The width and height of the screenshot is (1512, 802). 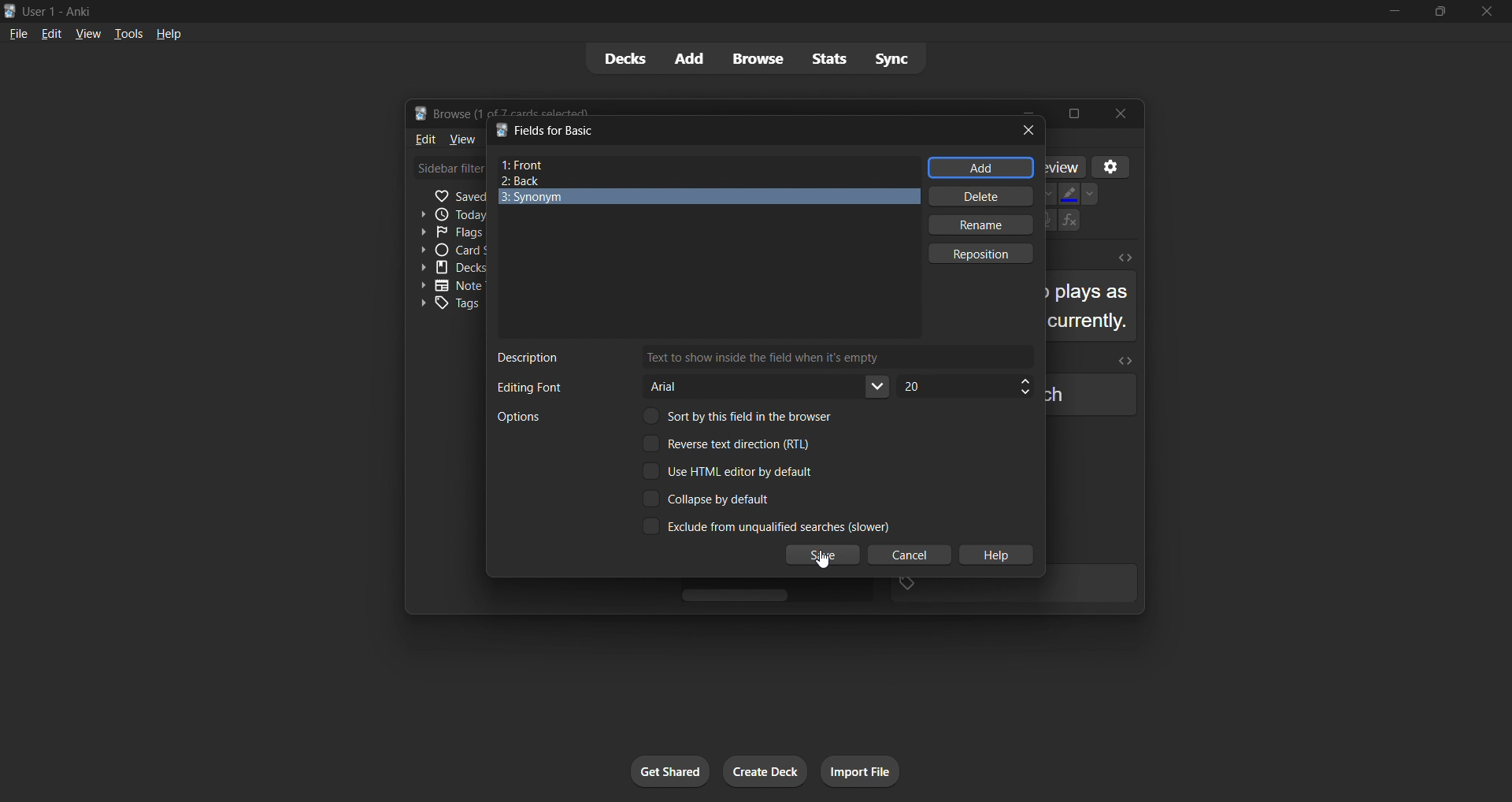 What do you see at coordinates (865, 770) in the screenshot?
I see `import file` at bounding box center [865, 770].